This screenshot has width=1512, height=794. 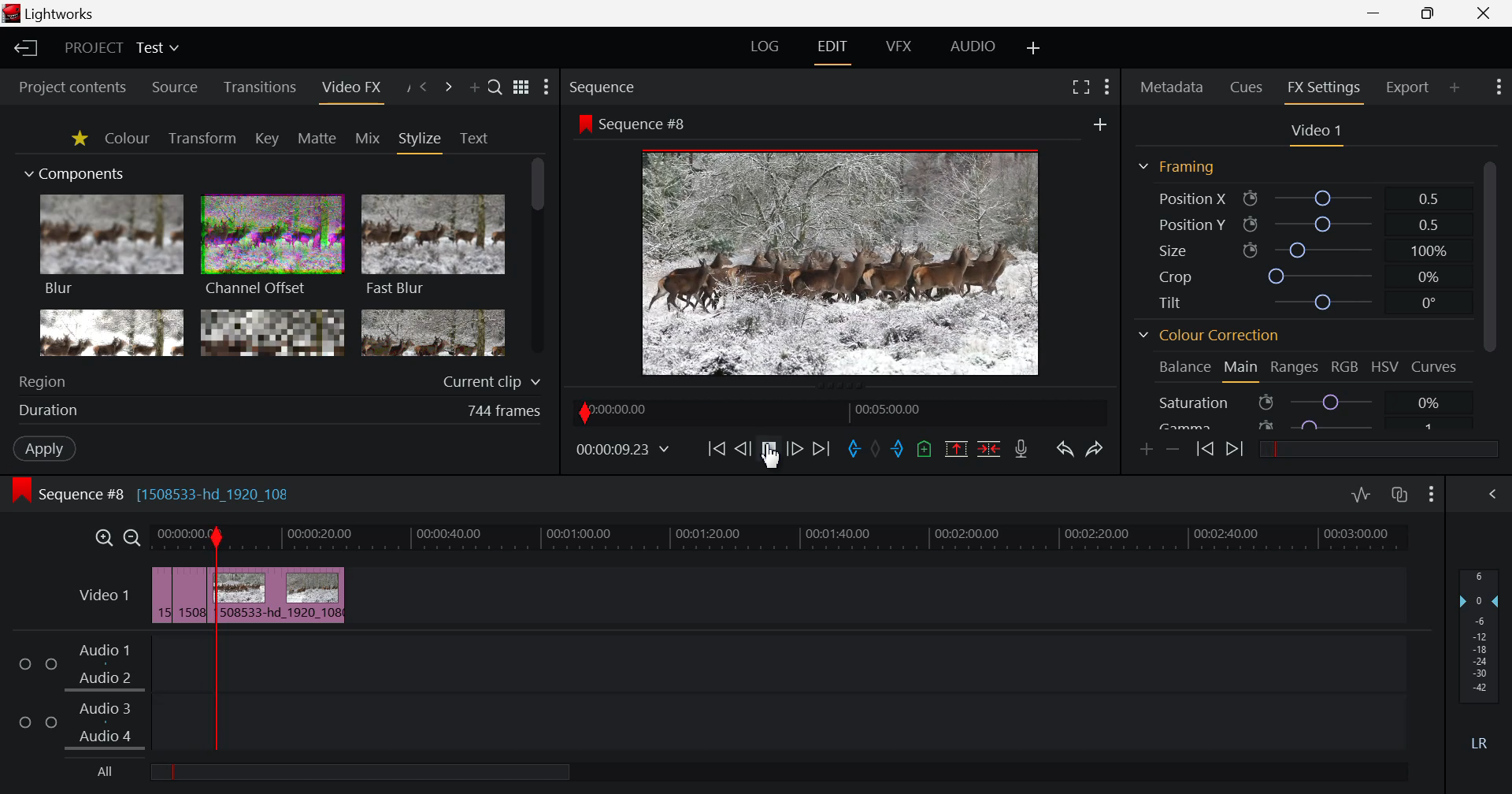 I want to click on Toggle auto track sync, so click(x=1400, y=495).